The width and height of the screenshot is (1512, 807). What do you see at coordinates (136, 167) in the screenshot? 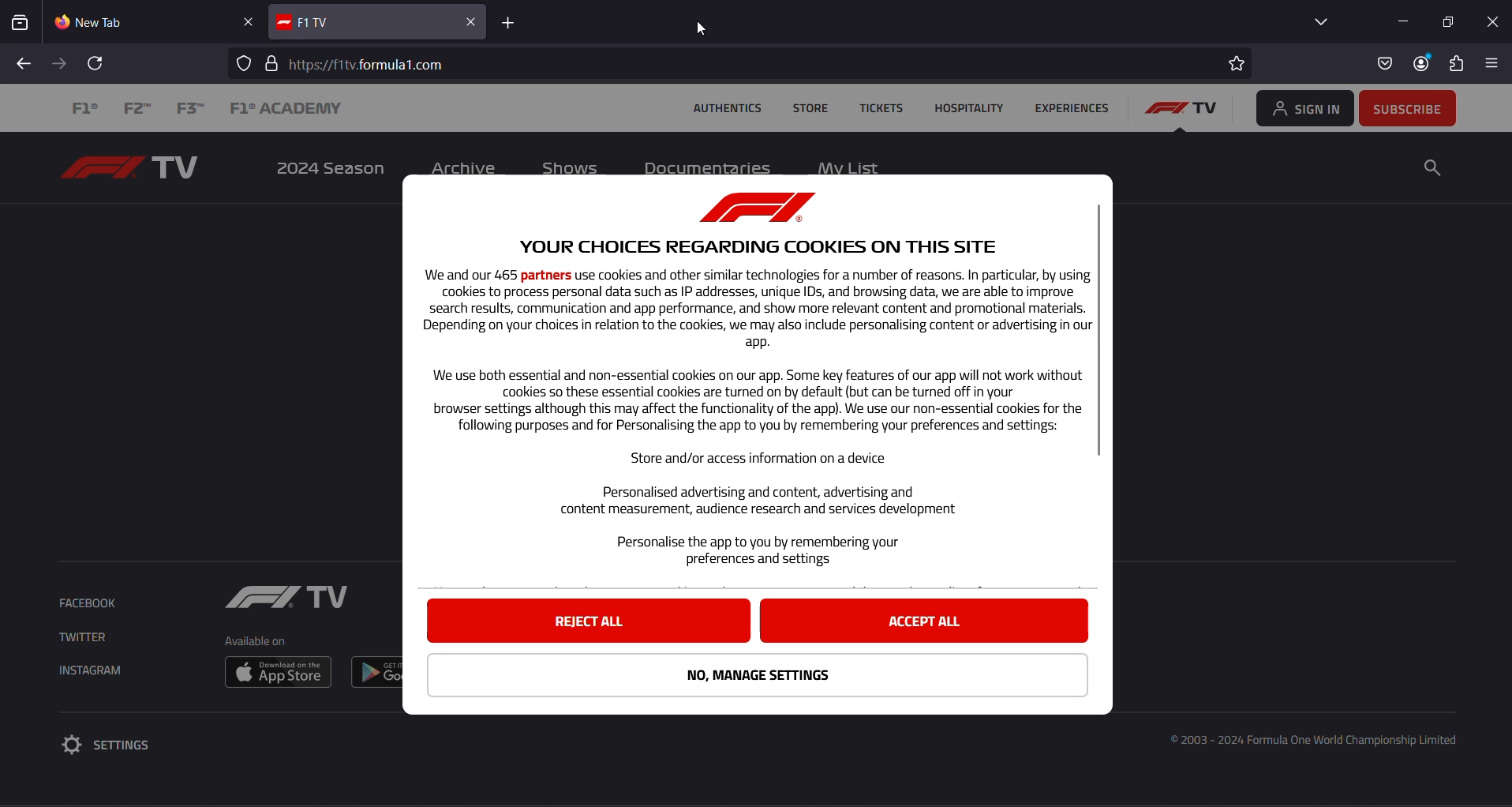
I see `f1 tv logo` at bounding box center [136, 167].